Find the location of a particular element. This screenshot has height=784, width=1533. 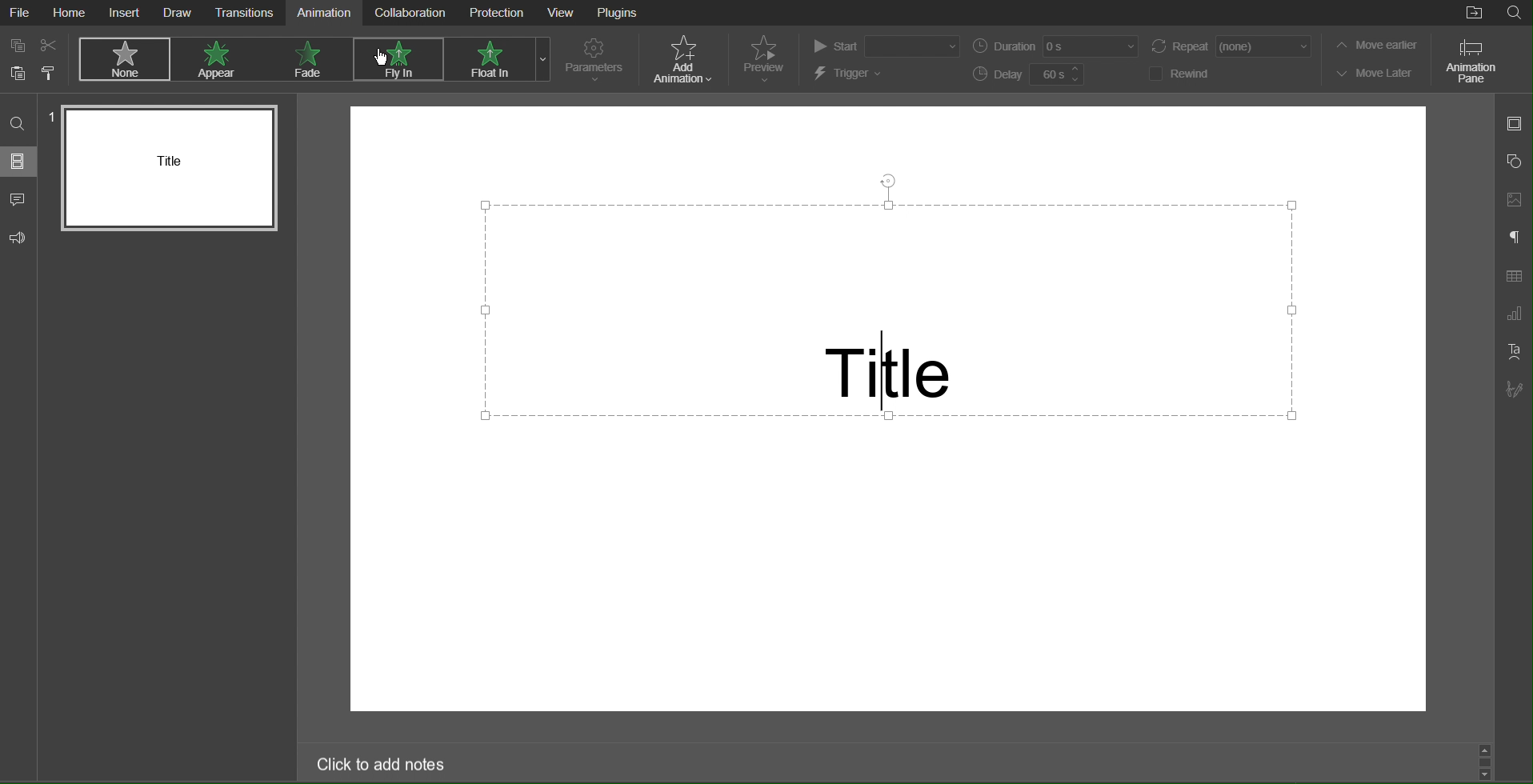

Rewind is located at coordinates (1180, 74).